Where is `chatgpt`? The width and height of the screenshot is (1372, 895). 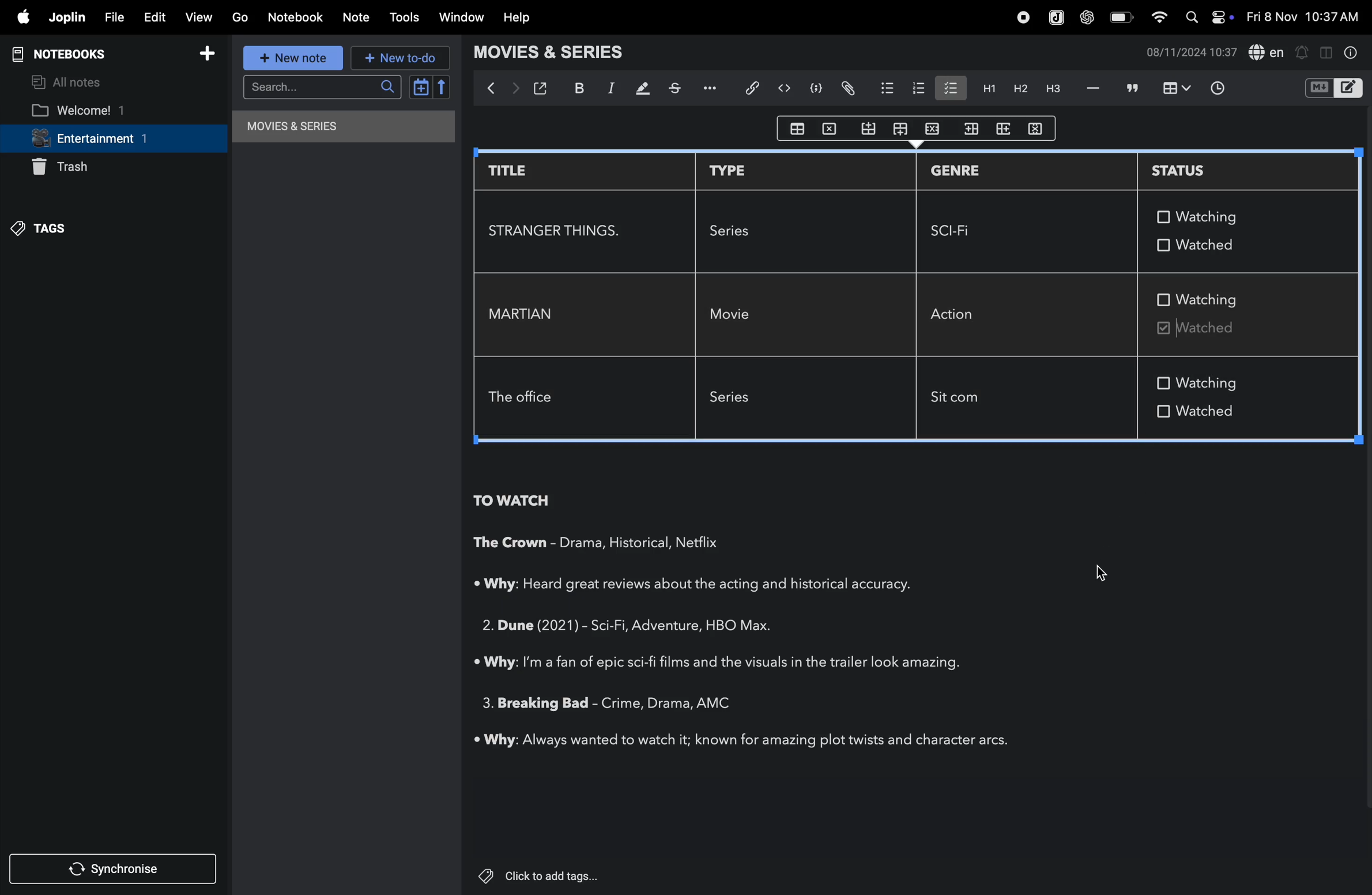
chatgpt is located at coordinates (1087, 18).